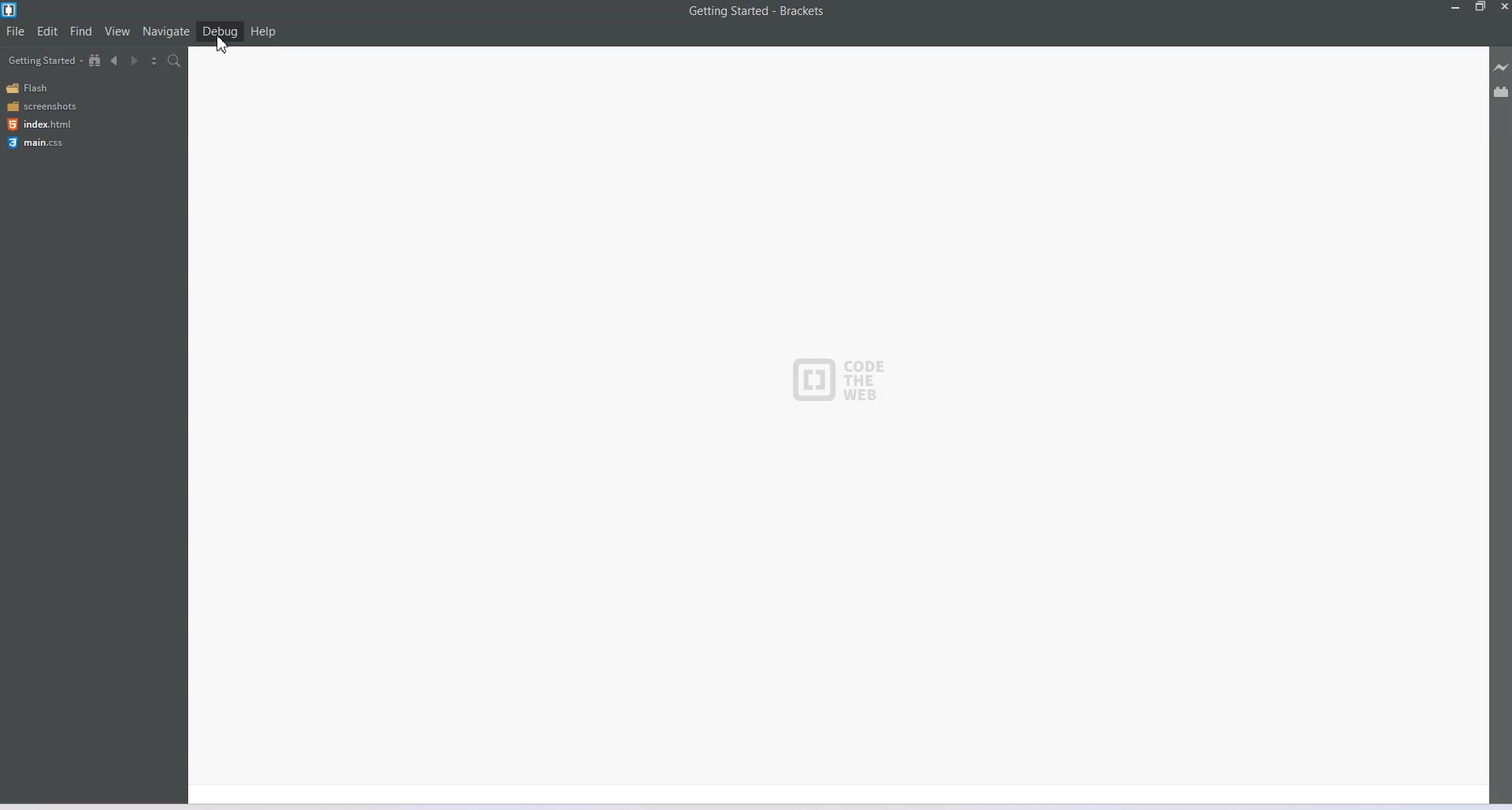  I want to click on View in file Tree, so click(97, 60).